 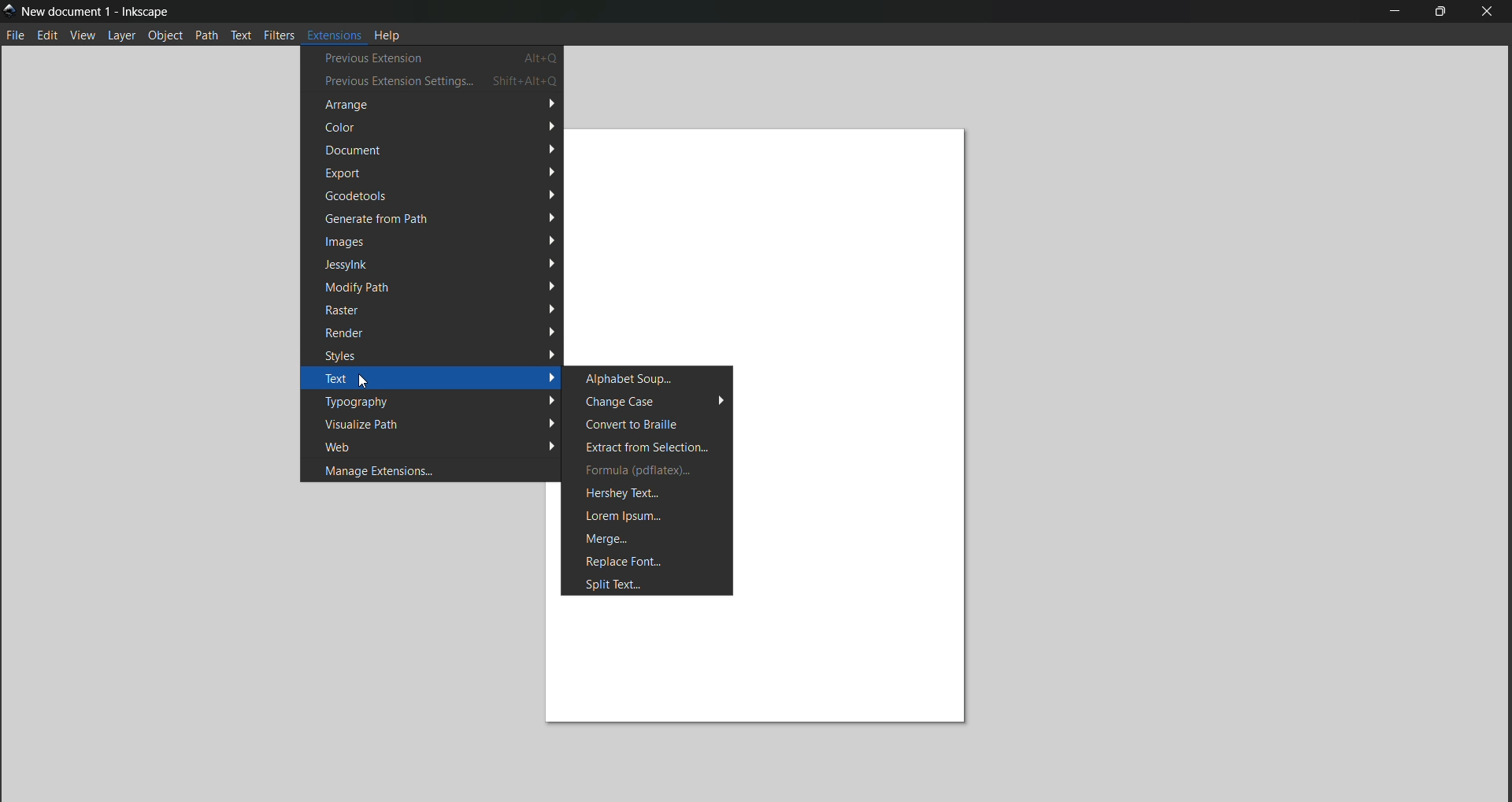 What do you see at coordinates (646, 470) in the screenshot?
I see `Formula` at bounding box center [646, 470].